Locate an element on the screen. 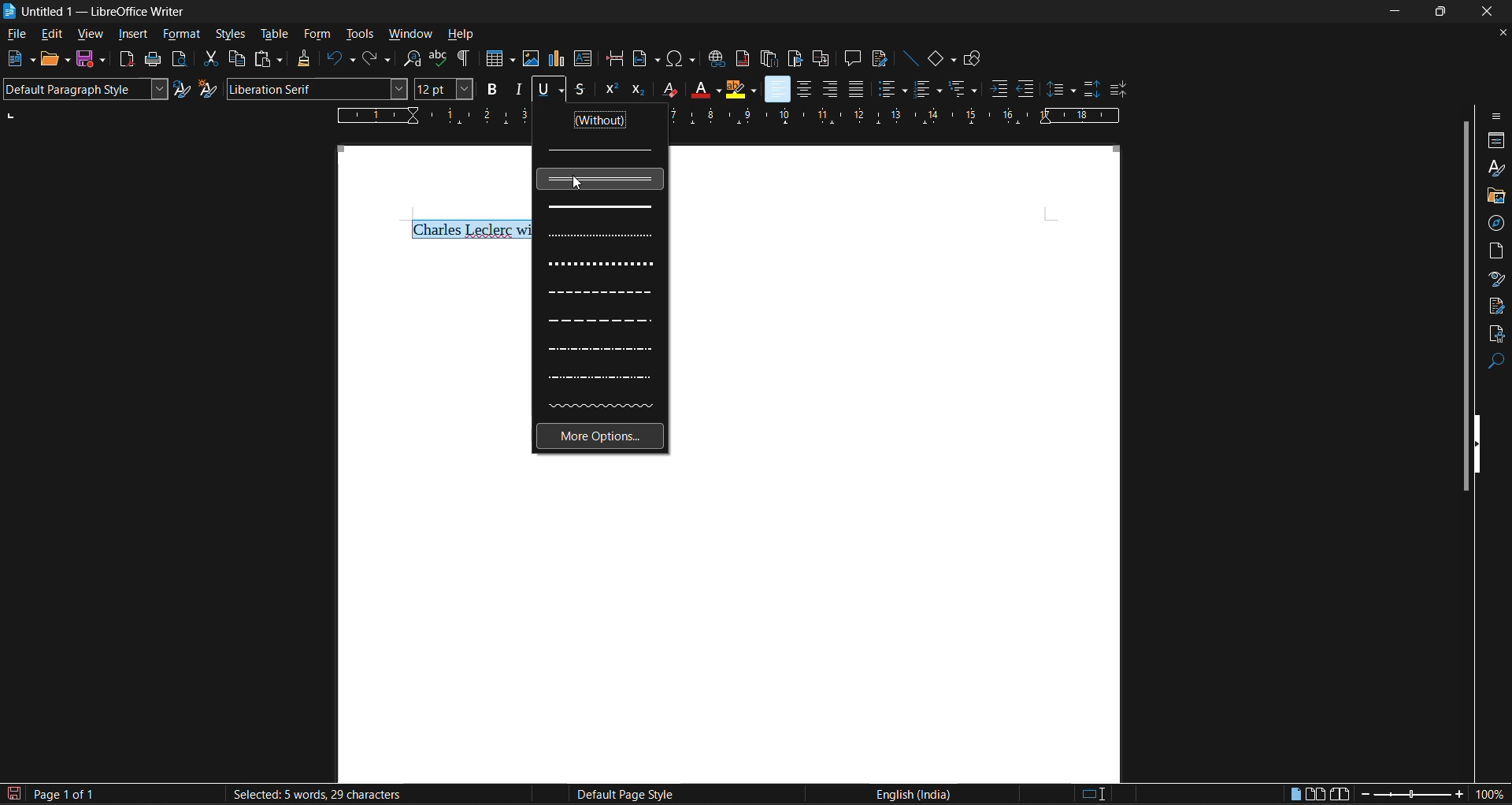 Image resolution: width=1512 pixels, height=805 pixels. insert image is located at coordinates (529, 59).